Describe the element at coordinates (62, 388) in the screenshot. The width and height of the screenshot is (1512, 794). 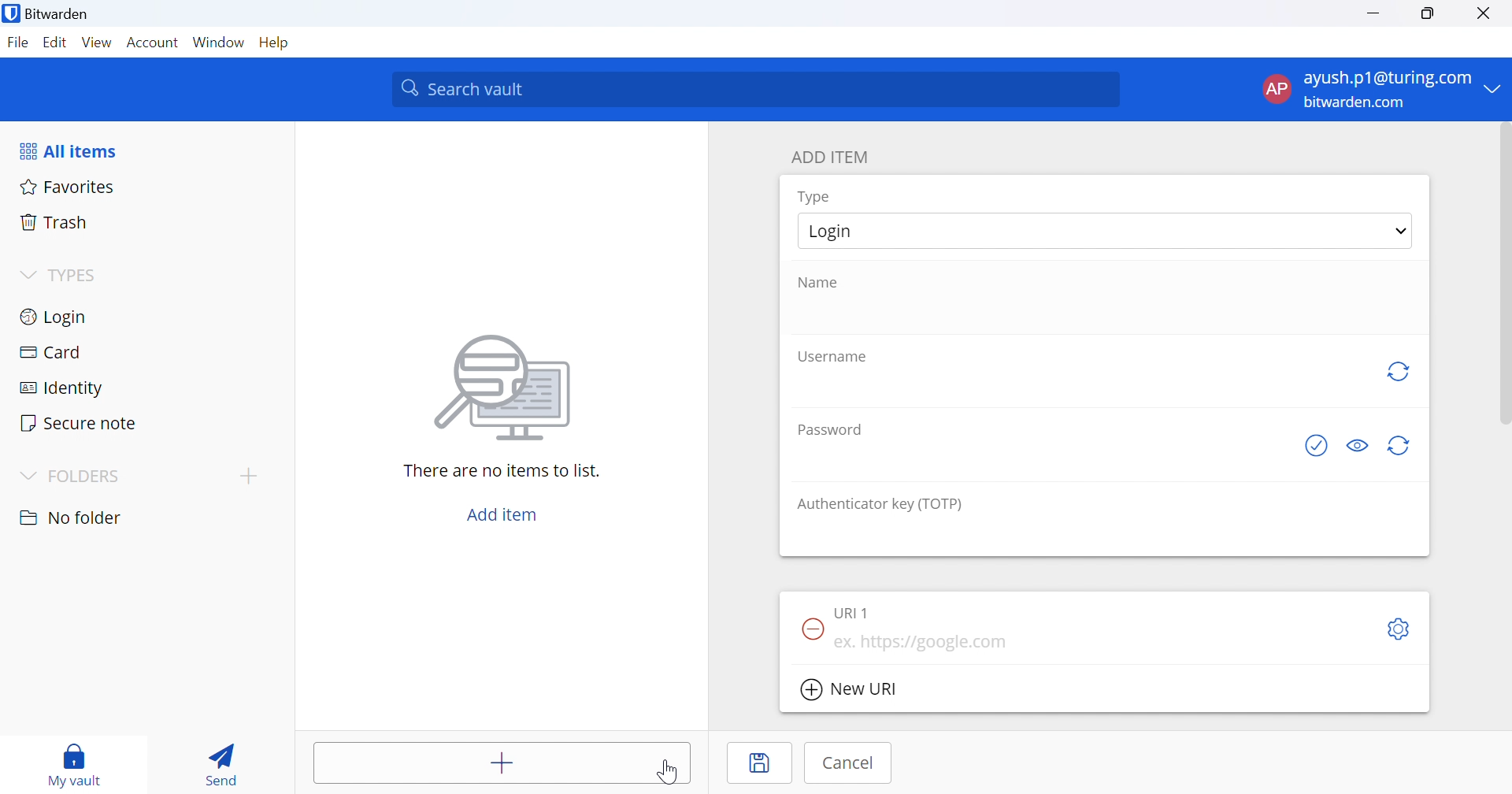
I see `Identity` at that location.